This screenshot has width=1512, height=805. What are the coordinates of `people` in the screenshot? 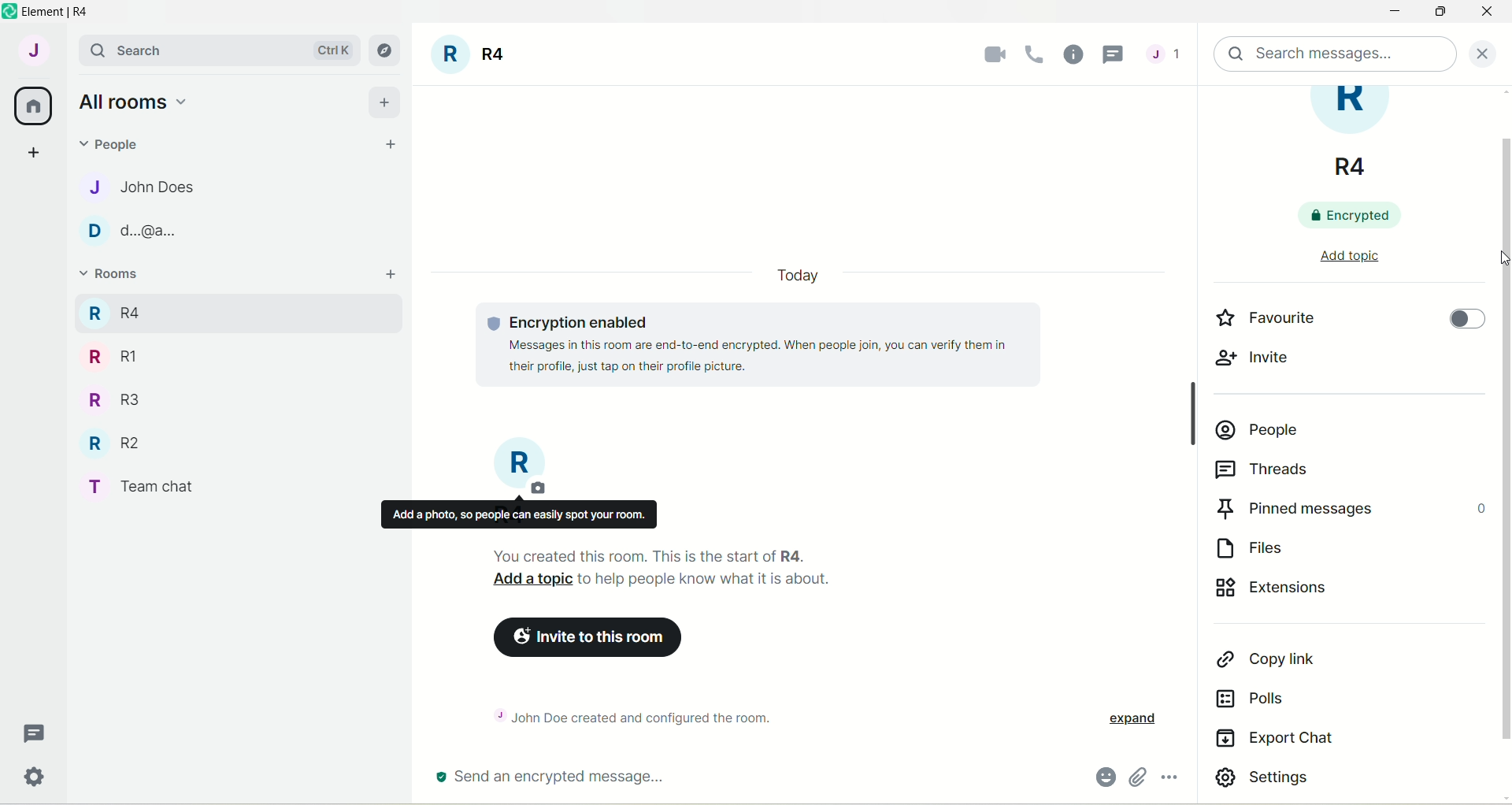 It's located at (1260, 425).